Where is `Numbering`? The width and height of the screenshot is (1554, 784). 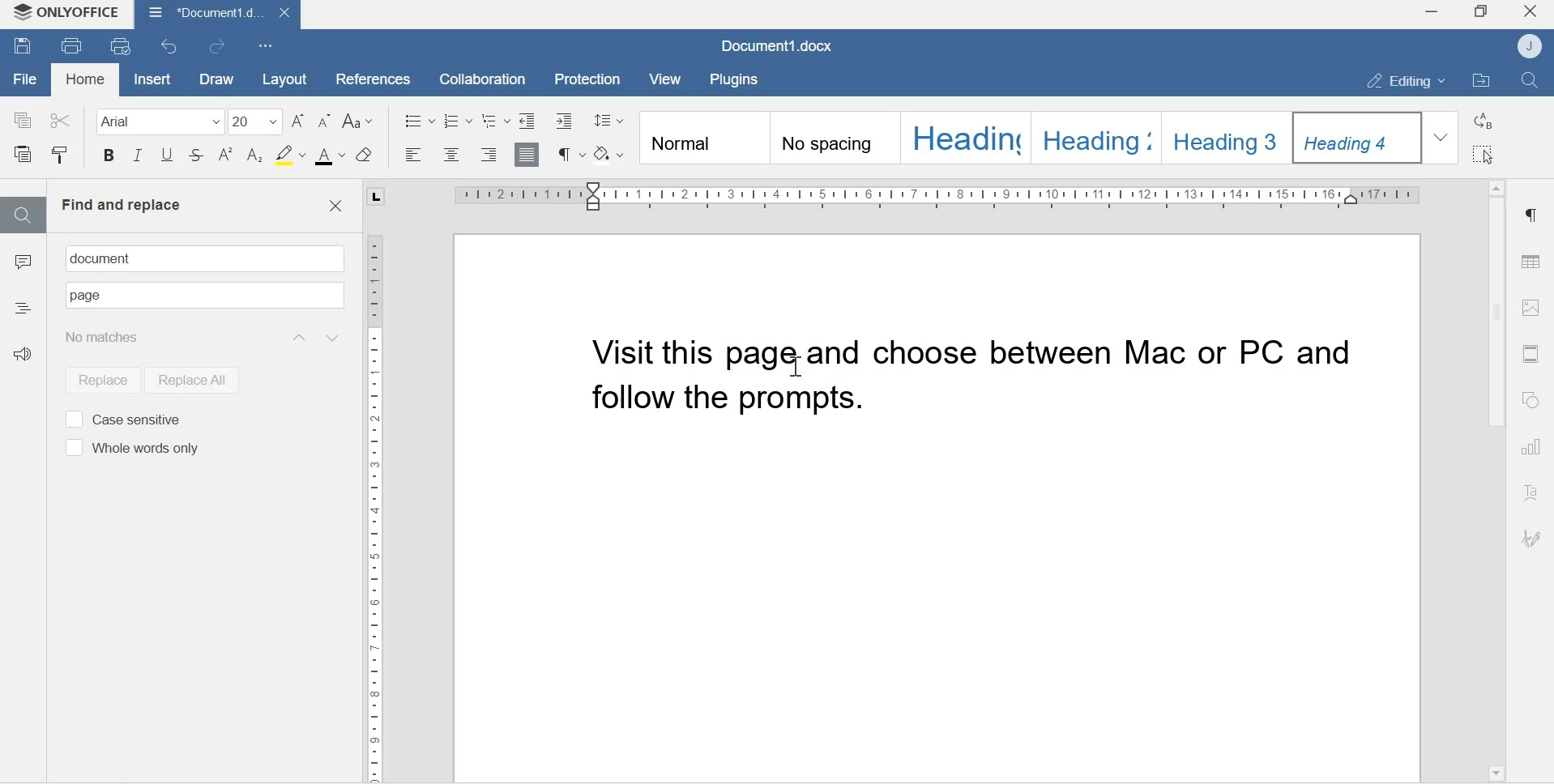 Numbering is located at coordinates (459, 120).